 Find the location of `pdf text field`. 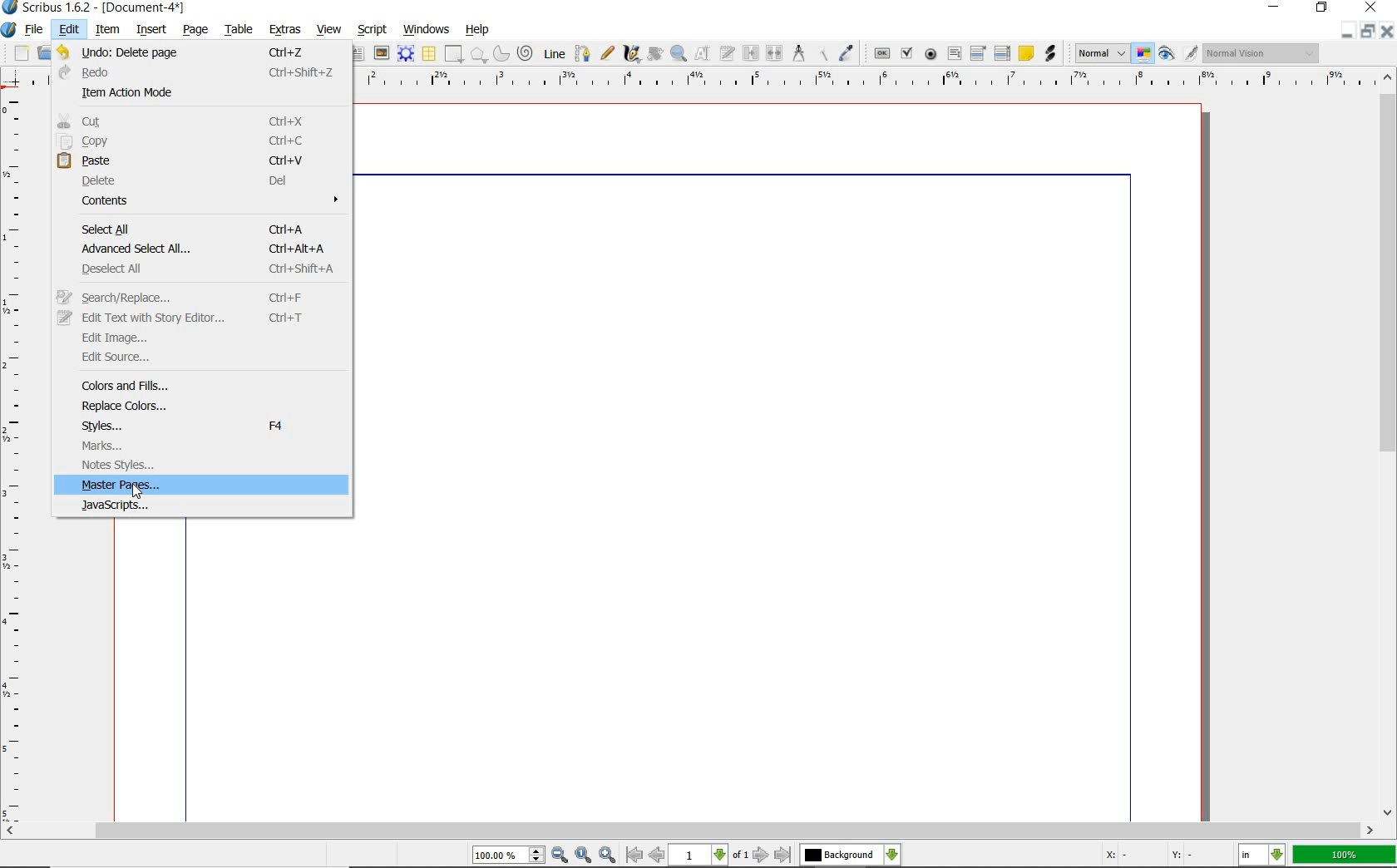

pdf text field is located at coordinates (954, 54).